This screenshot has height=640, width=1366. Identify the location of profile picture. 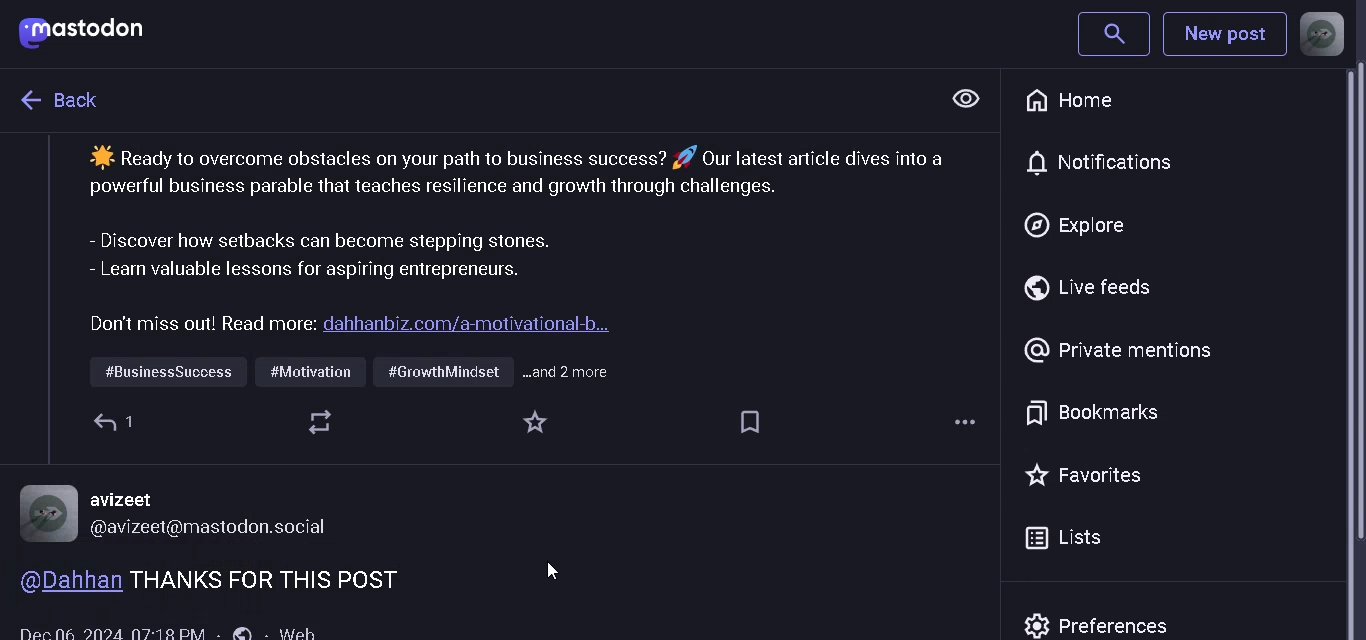
(1322, 34).